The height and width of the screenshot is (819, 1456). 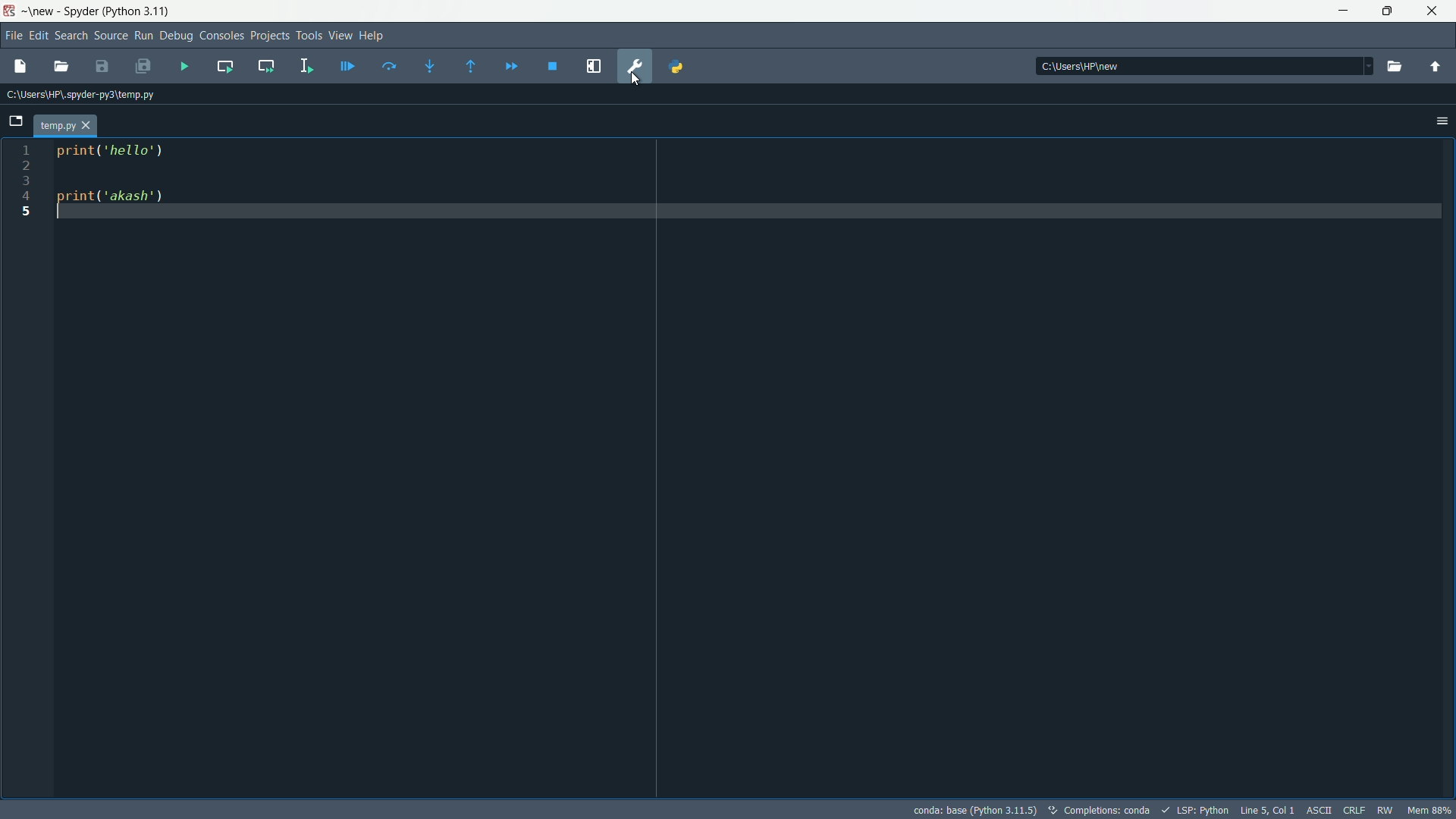 What do you see at coordinates (29, 212) in the screenshot?
I see `5` at bounding box center [29, 212].